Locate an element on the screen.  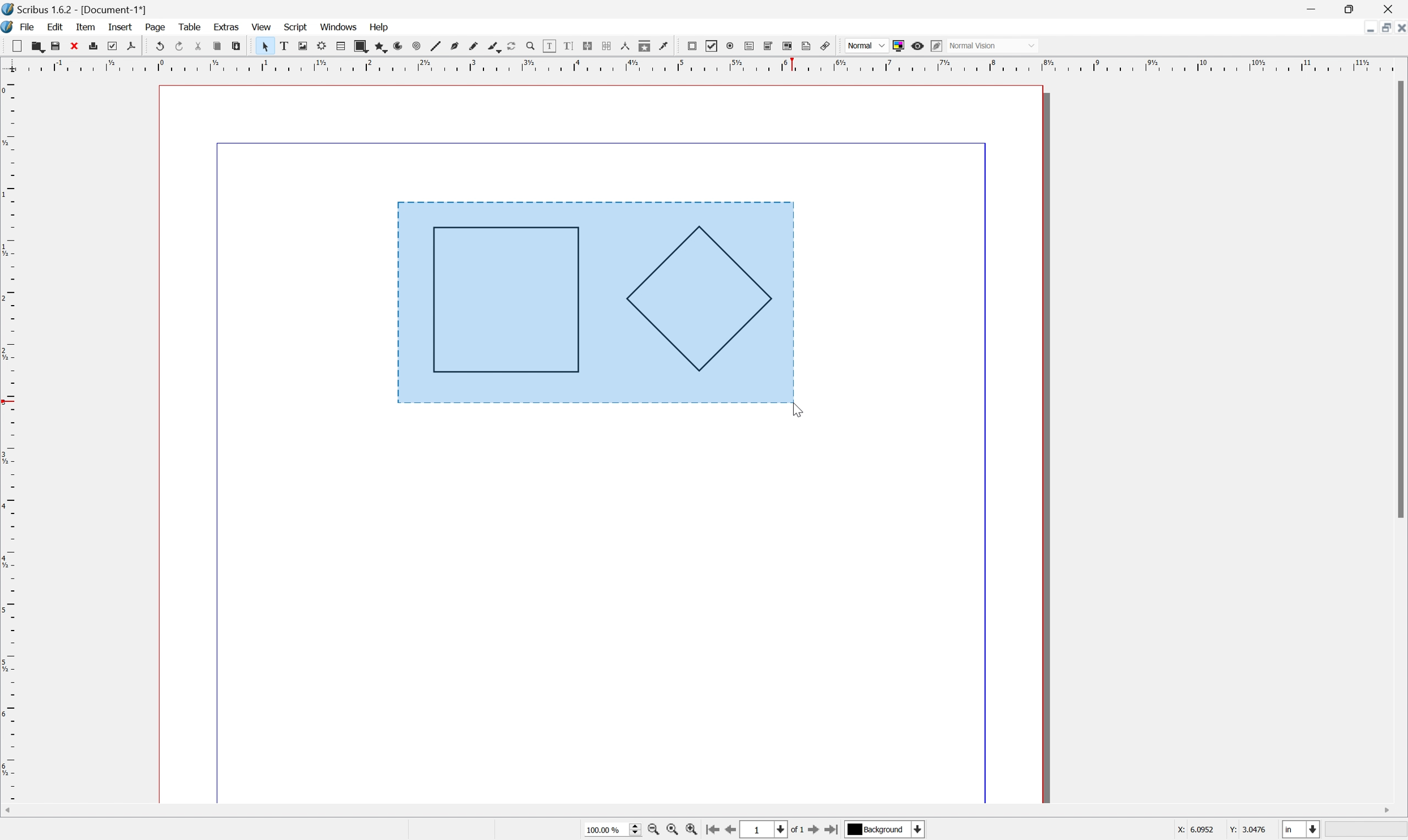
paste is located at coordinates (235, 46).